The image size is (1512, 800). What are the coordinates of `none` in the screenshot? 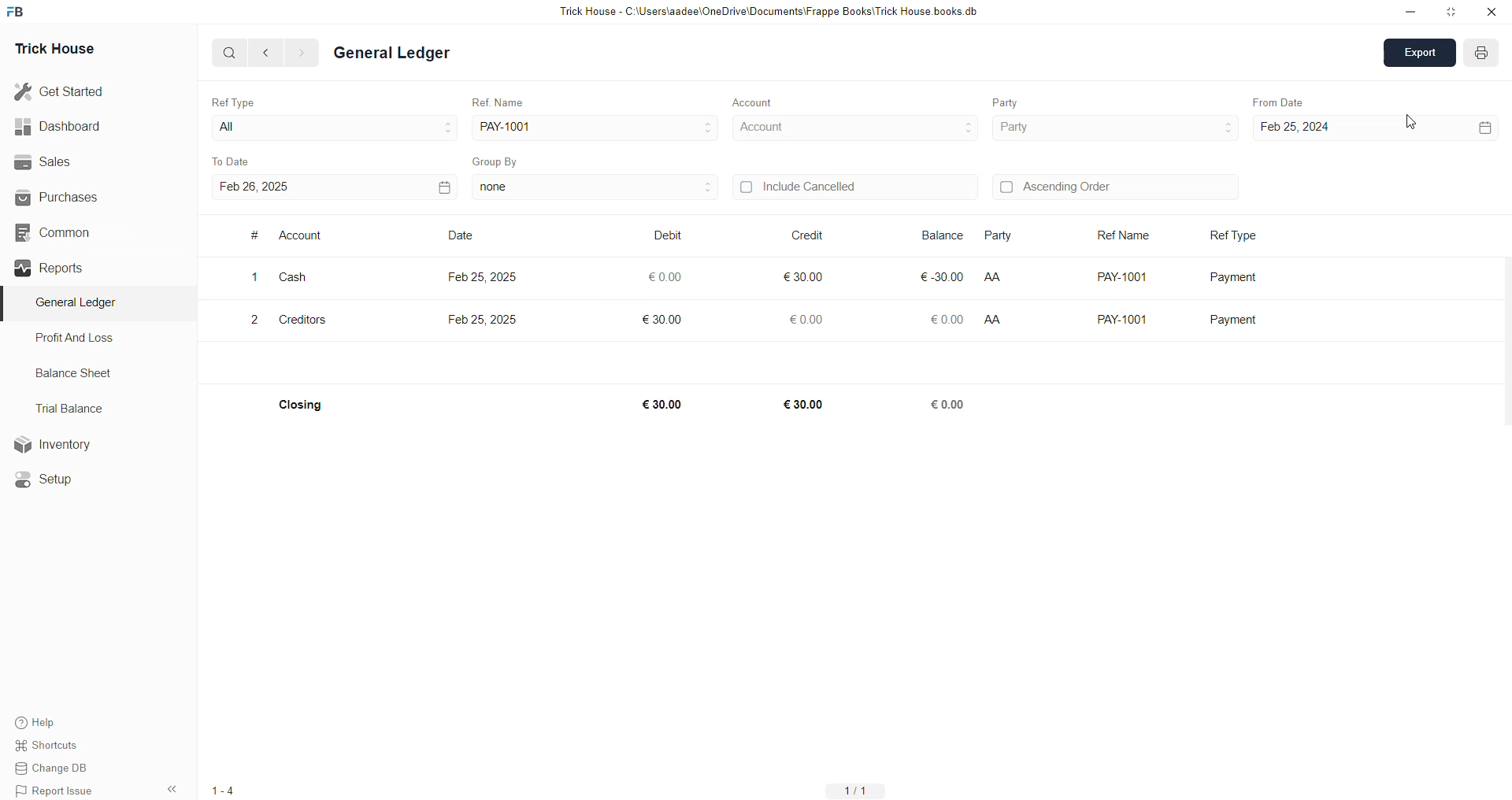 It's located at (593, 187).